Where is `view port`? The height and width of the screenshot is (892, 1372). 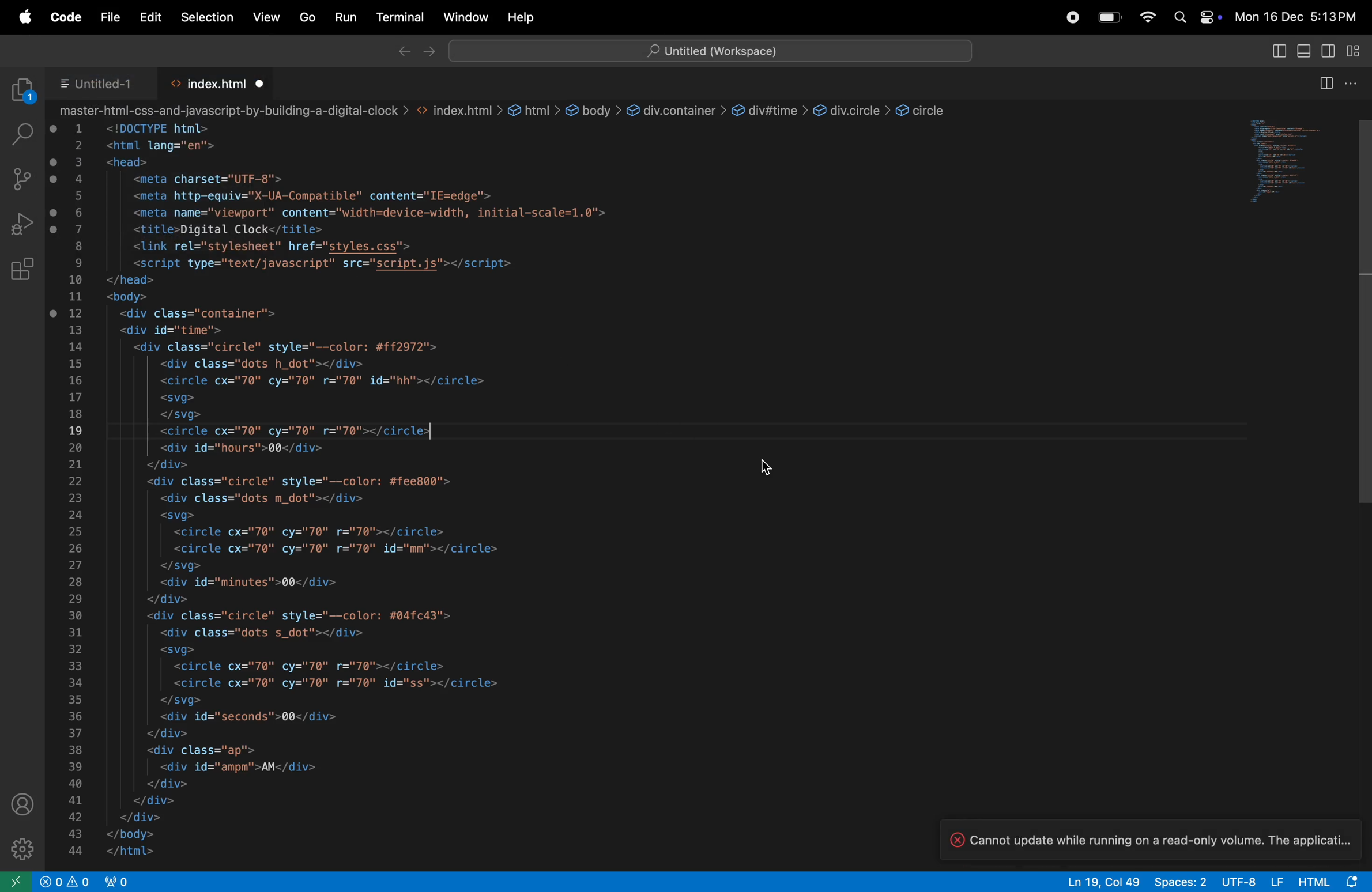
view port is located at coordinates (126, 881).